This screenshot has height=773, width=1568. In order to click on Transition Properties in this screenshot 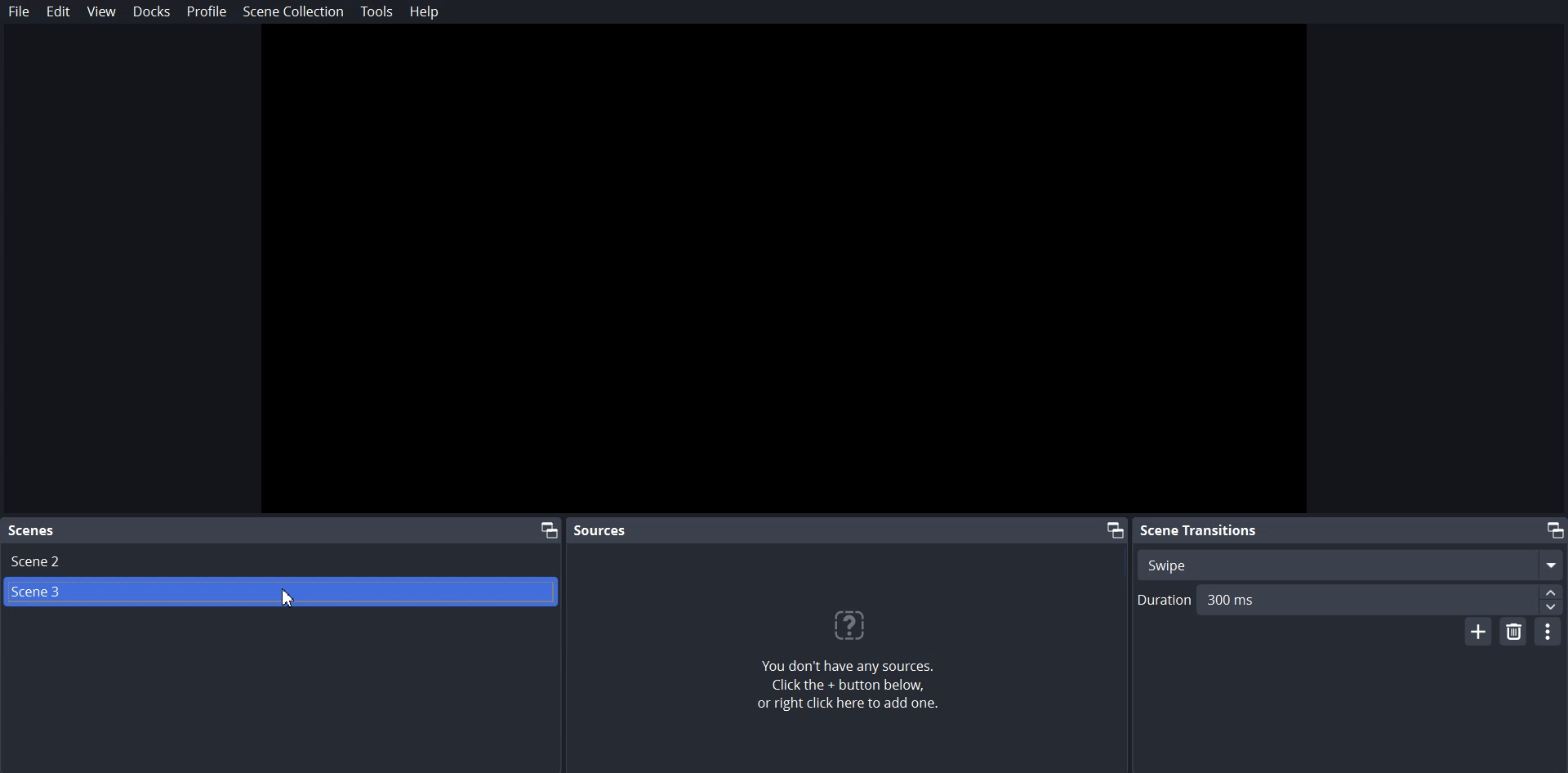, I will do `click(1553, 634)`.